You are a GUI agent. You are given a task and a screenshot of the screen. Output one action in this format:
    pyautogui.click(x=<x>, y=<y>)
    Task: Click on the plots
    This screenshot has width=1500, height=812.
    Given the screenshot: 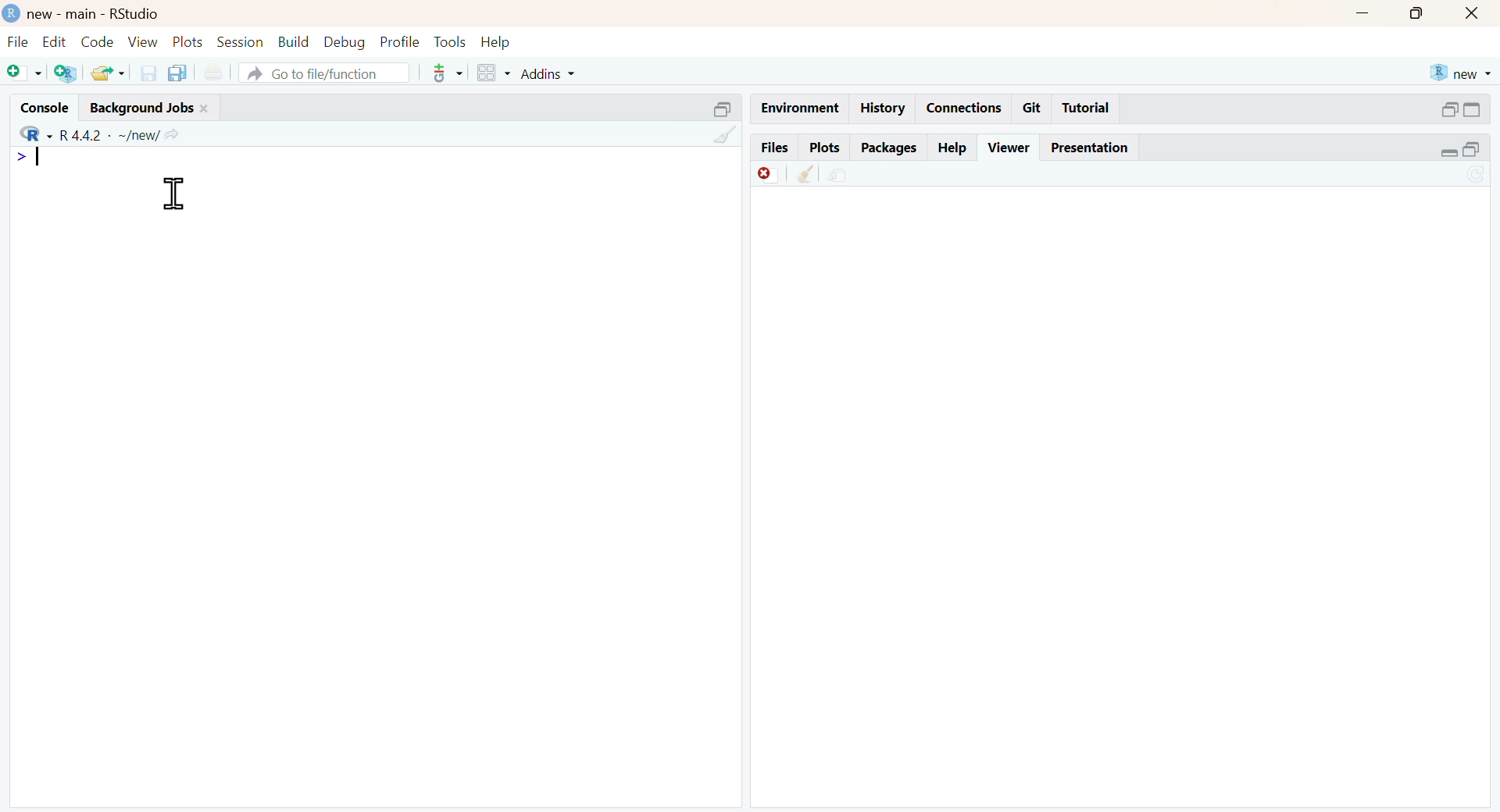 What is the action you would take?
    pyautogui.click(x=827, y=148)
    